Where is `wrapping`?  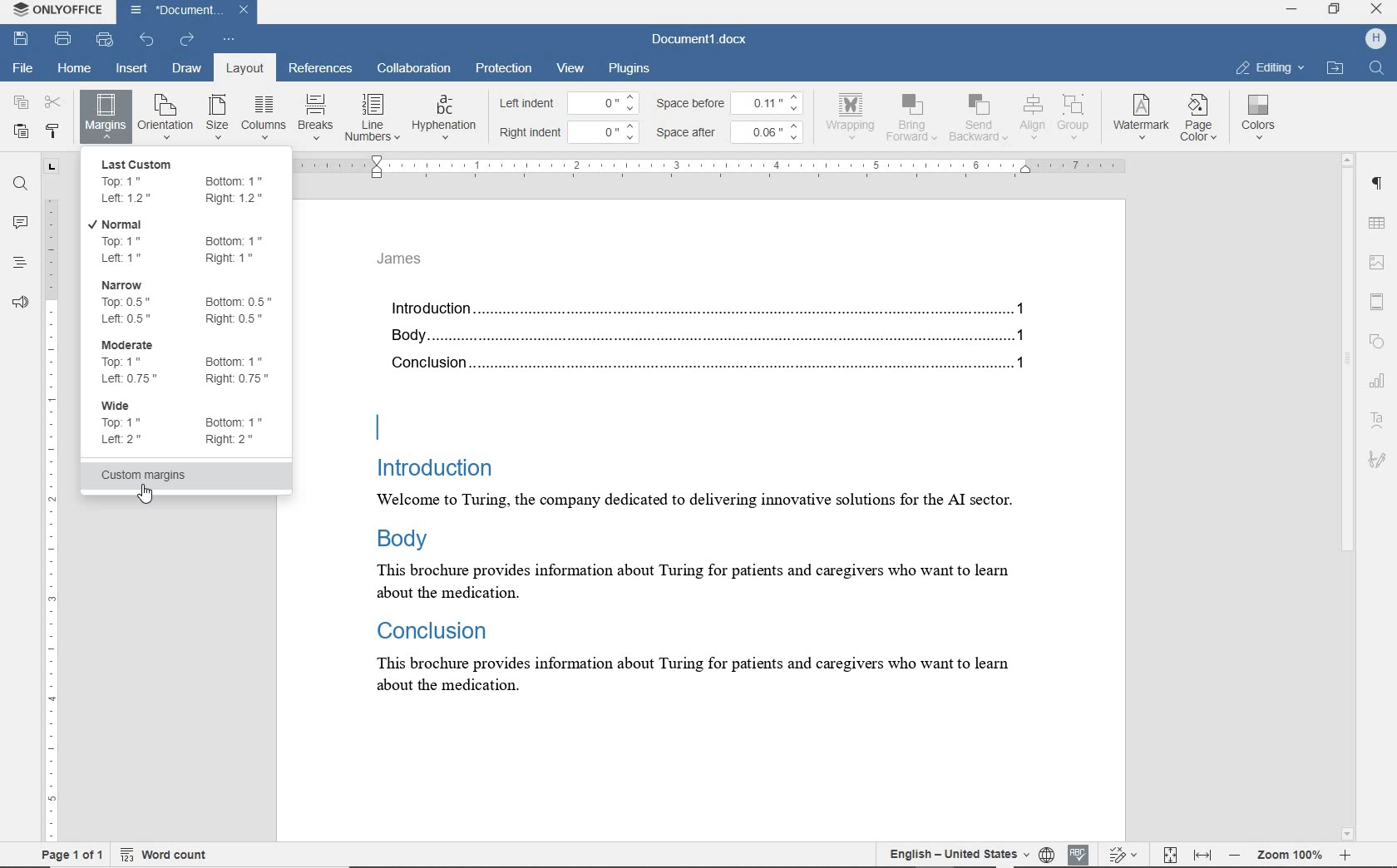
wrapping is located at coordinates (853, 116).